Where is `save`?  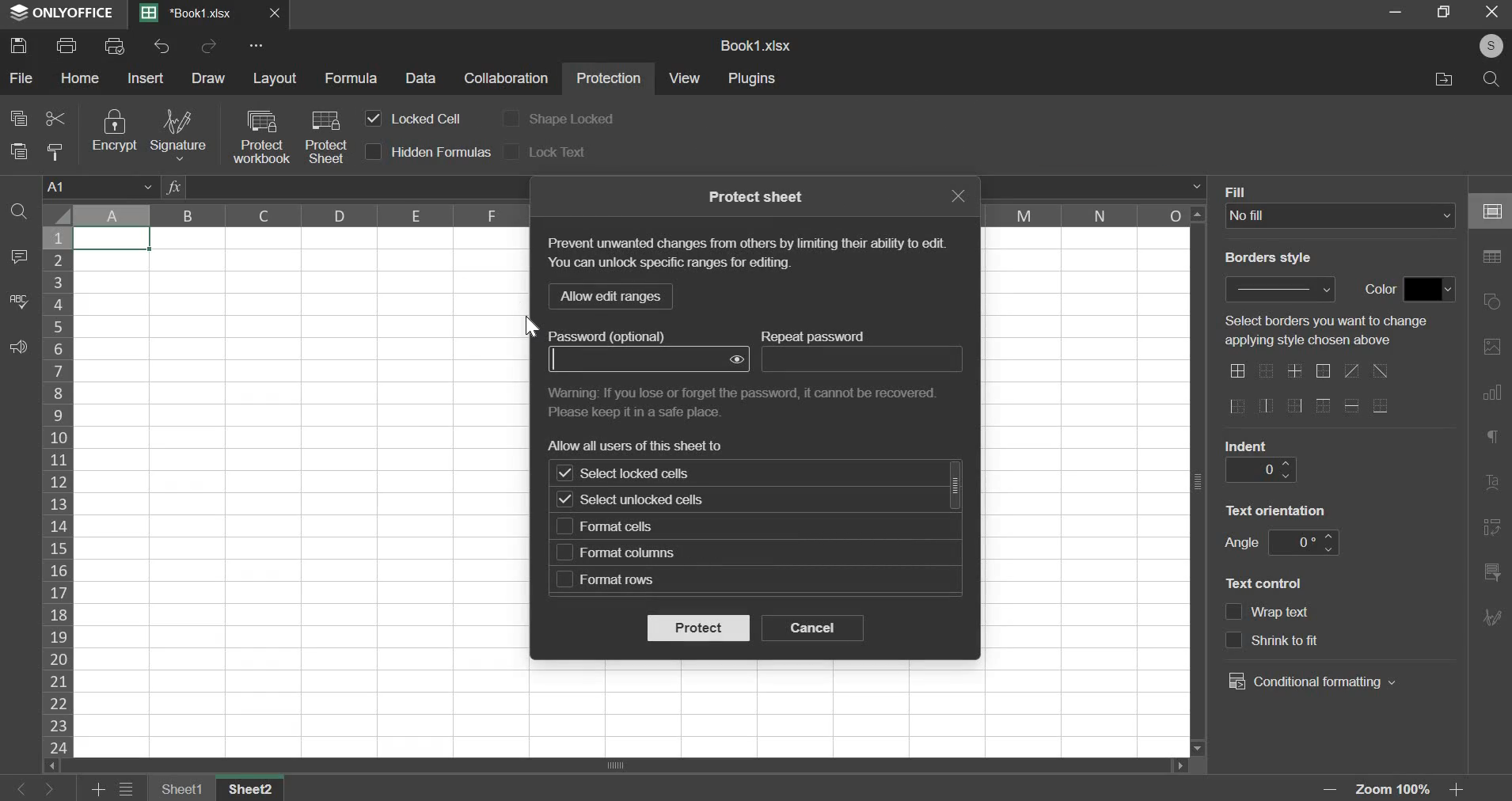
save is located at coordinates (19, 44).